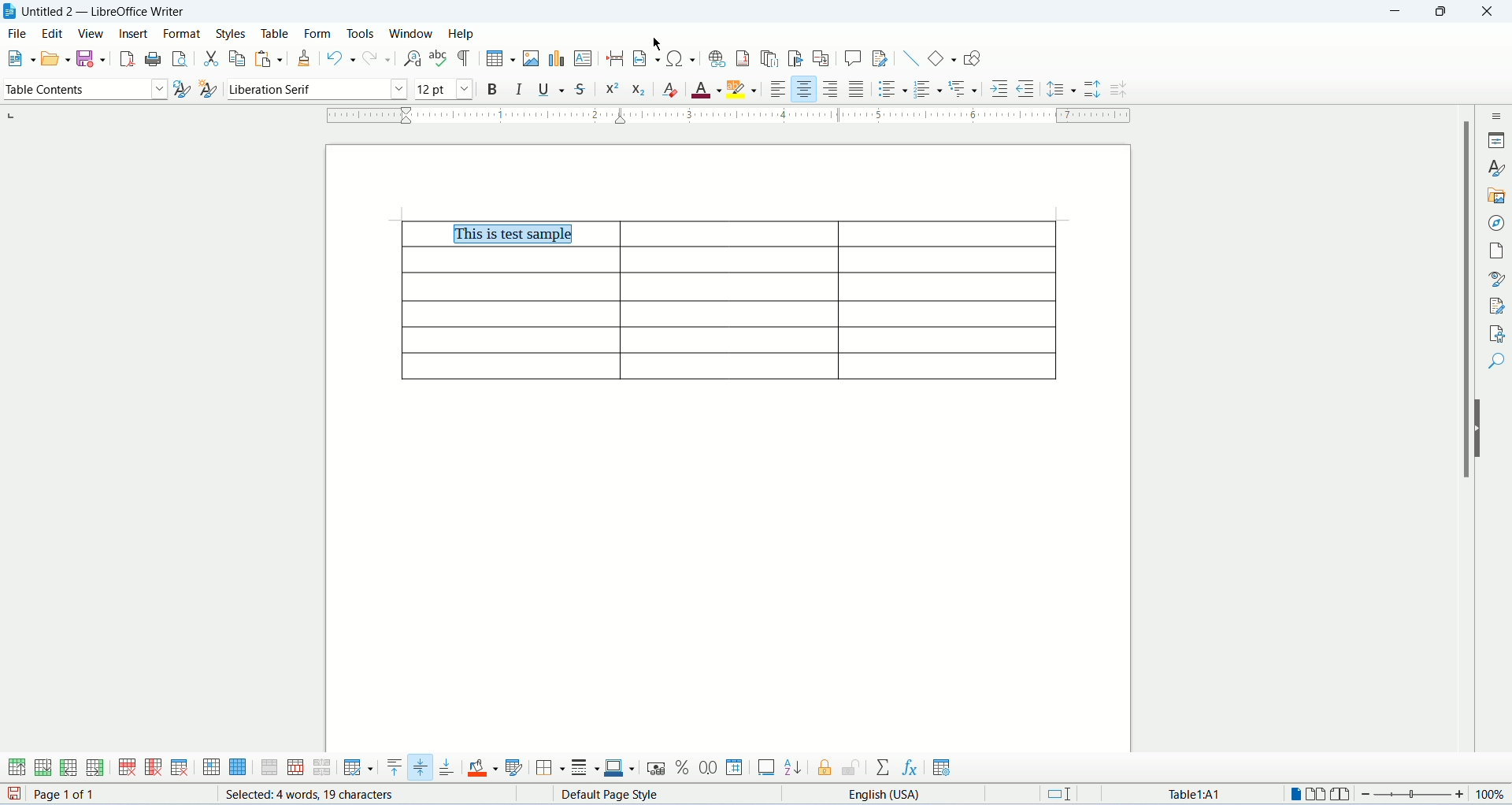  Describe the element at coordinates (1498, 141) in the screenshot. I see `properties` at that location.